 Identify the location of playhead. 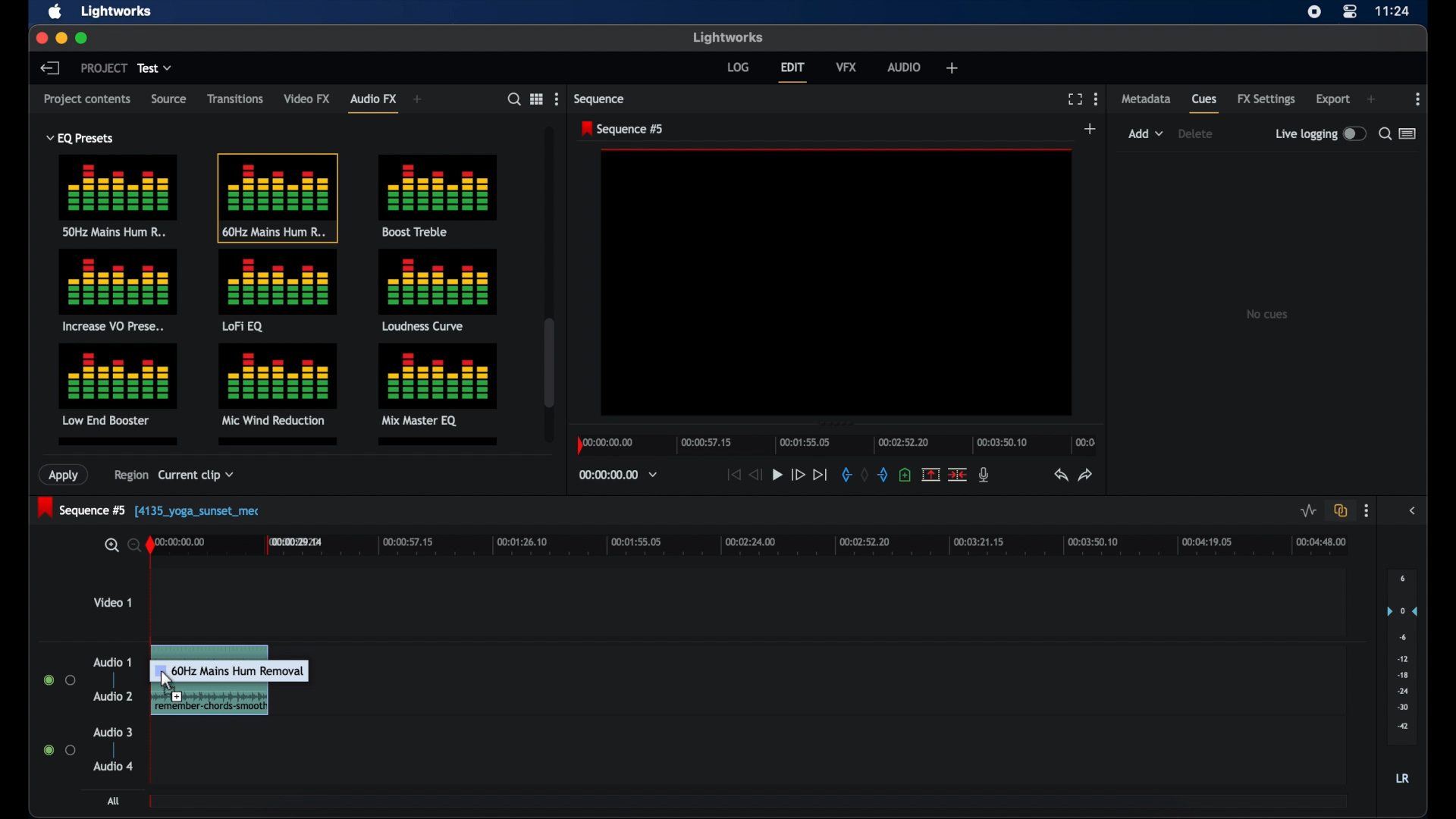
(150, 544).